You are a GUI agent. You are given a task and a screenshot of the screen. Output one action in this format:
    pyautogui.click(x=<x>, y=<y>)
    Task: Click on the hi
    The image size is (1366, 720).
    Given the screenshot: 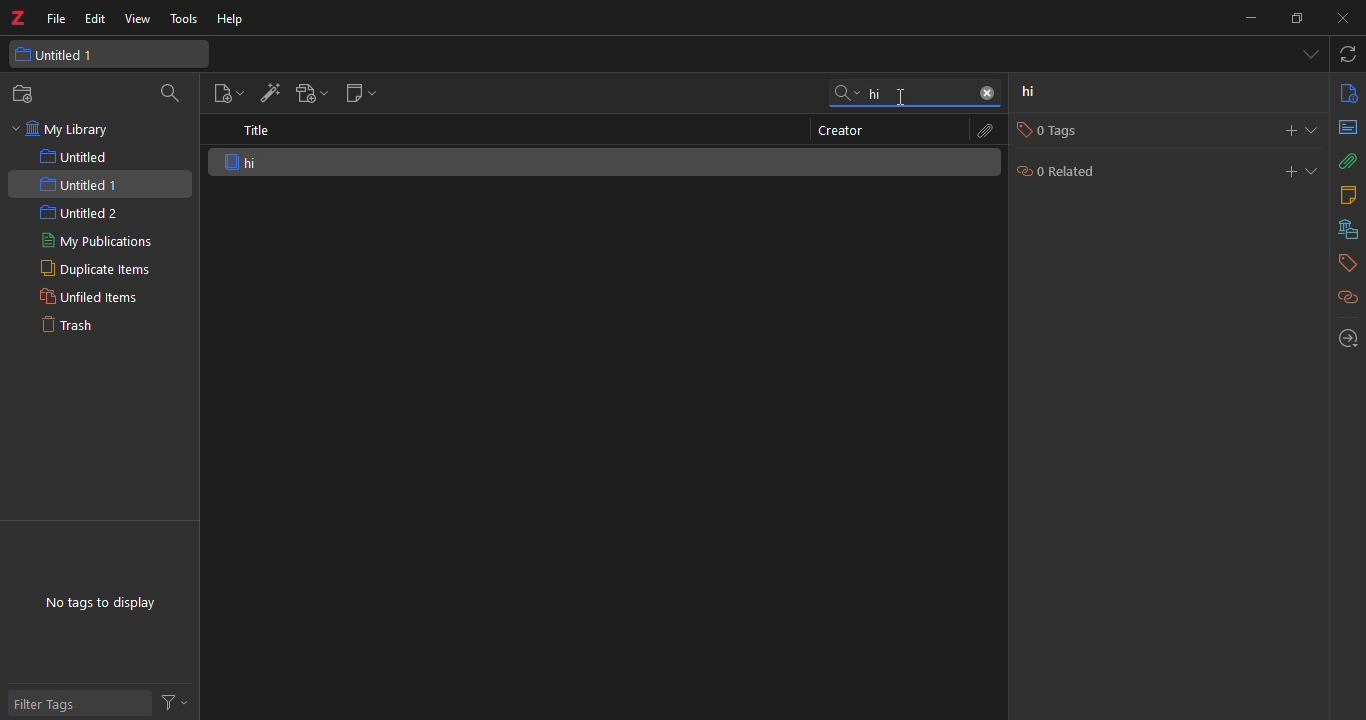 What is the action you would take?
    pyautogui.click(x=1038, y=94)
    